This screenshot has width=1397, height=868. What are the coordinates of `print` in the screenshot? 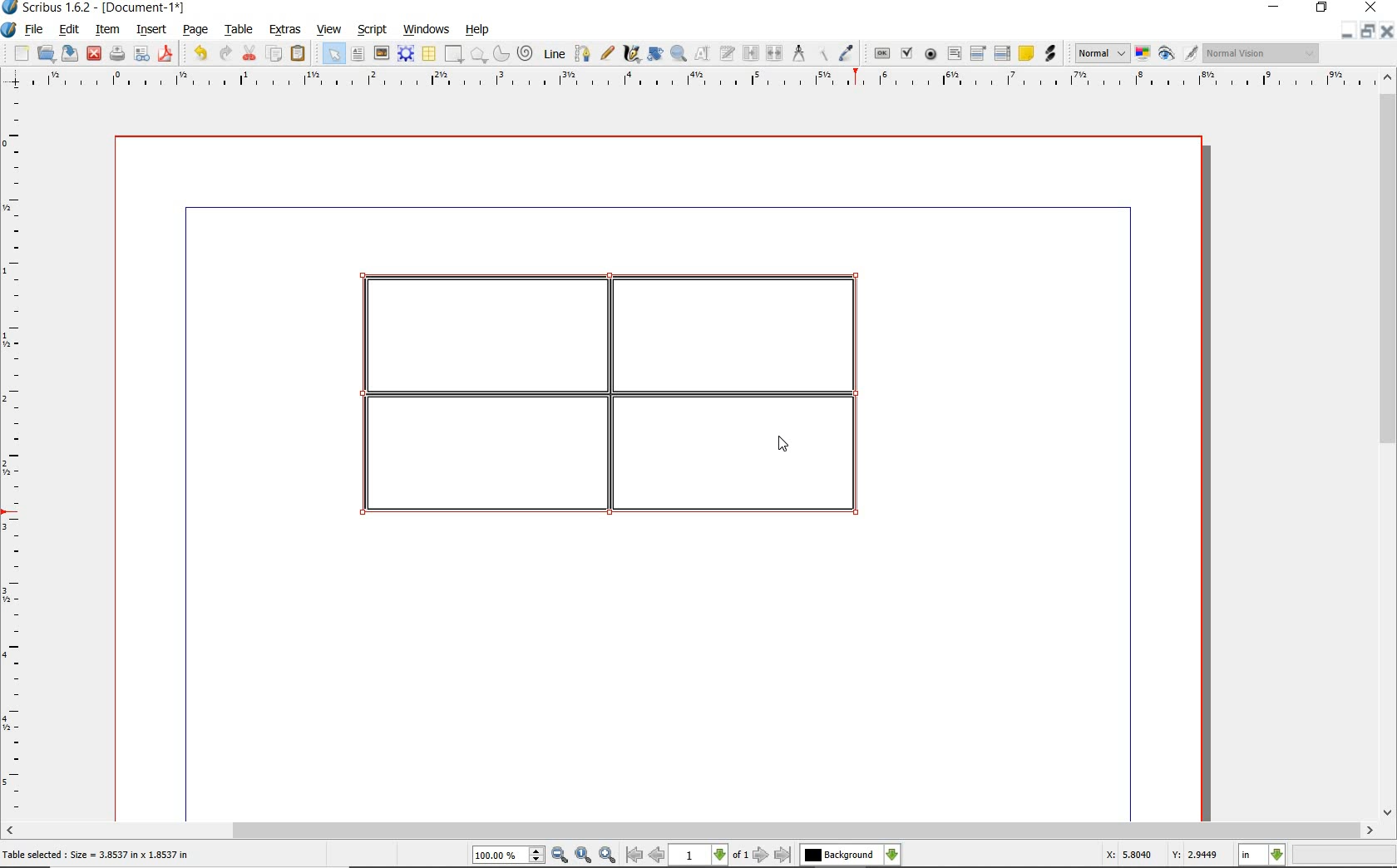 It's located at (116, 53).